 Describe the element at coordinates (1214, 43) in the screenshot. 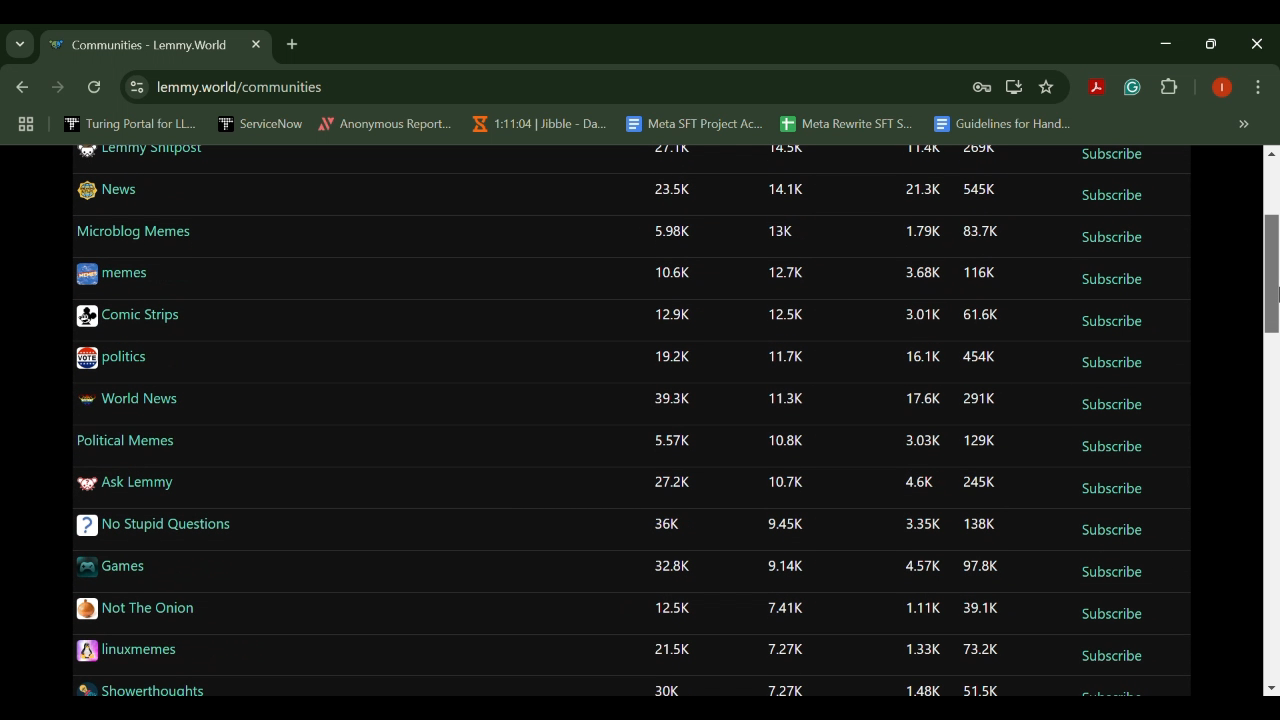

I see `Minimize Window` at that location.